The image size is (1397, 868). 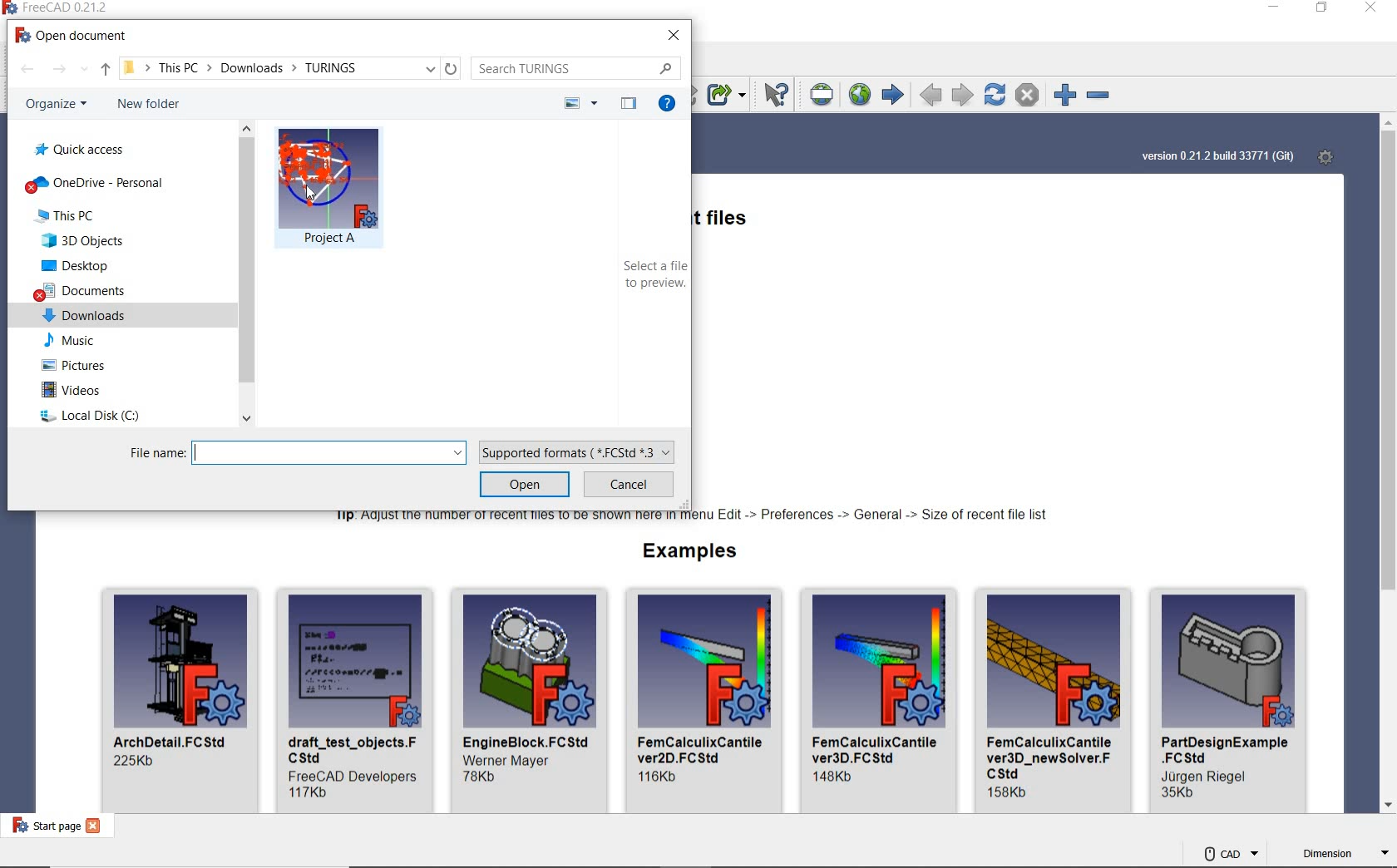 I want to click on ZOOM IN, so click(x=1060, y=94).